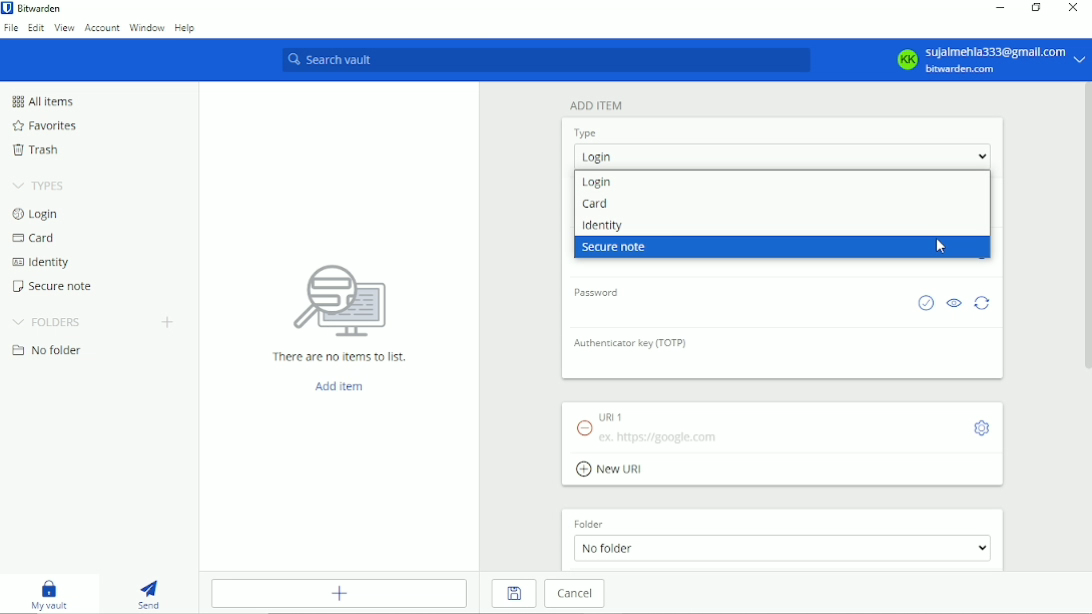 Image resolution: width=1092 pixels, height=614 pixels. What do you see at coordinates (44, 126) in the screenshot?
I see `Favorites` at bounding box center [44, 126].